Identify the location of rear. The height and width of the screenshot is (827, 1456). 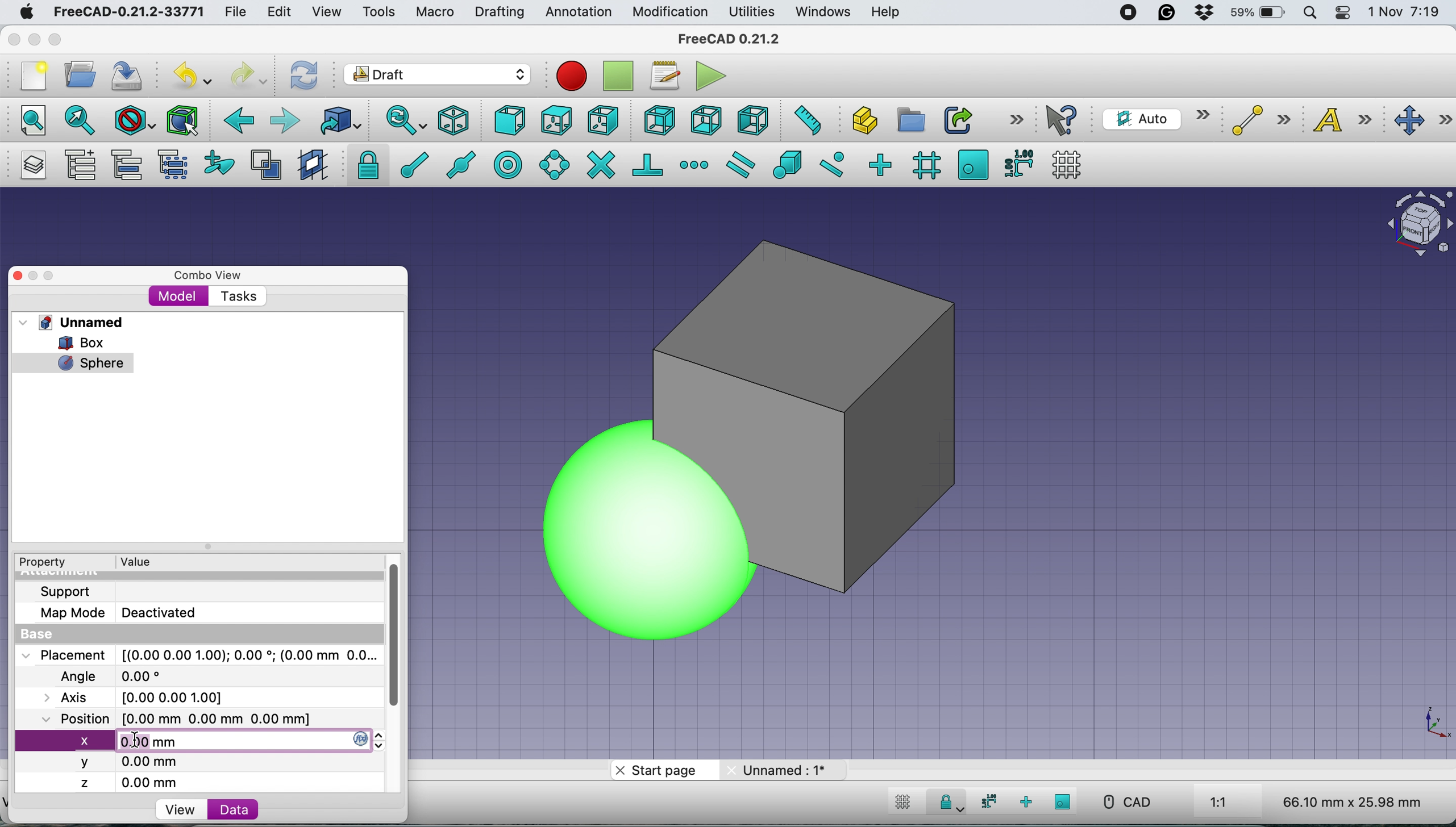
(658, 120).